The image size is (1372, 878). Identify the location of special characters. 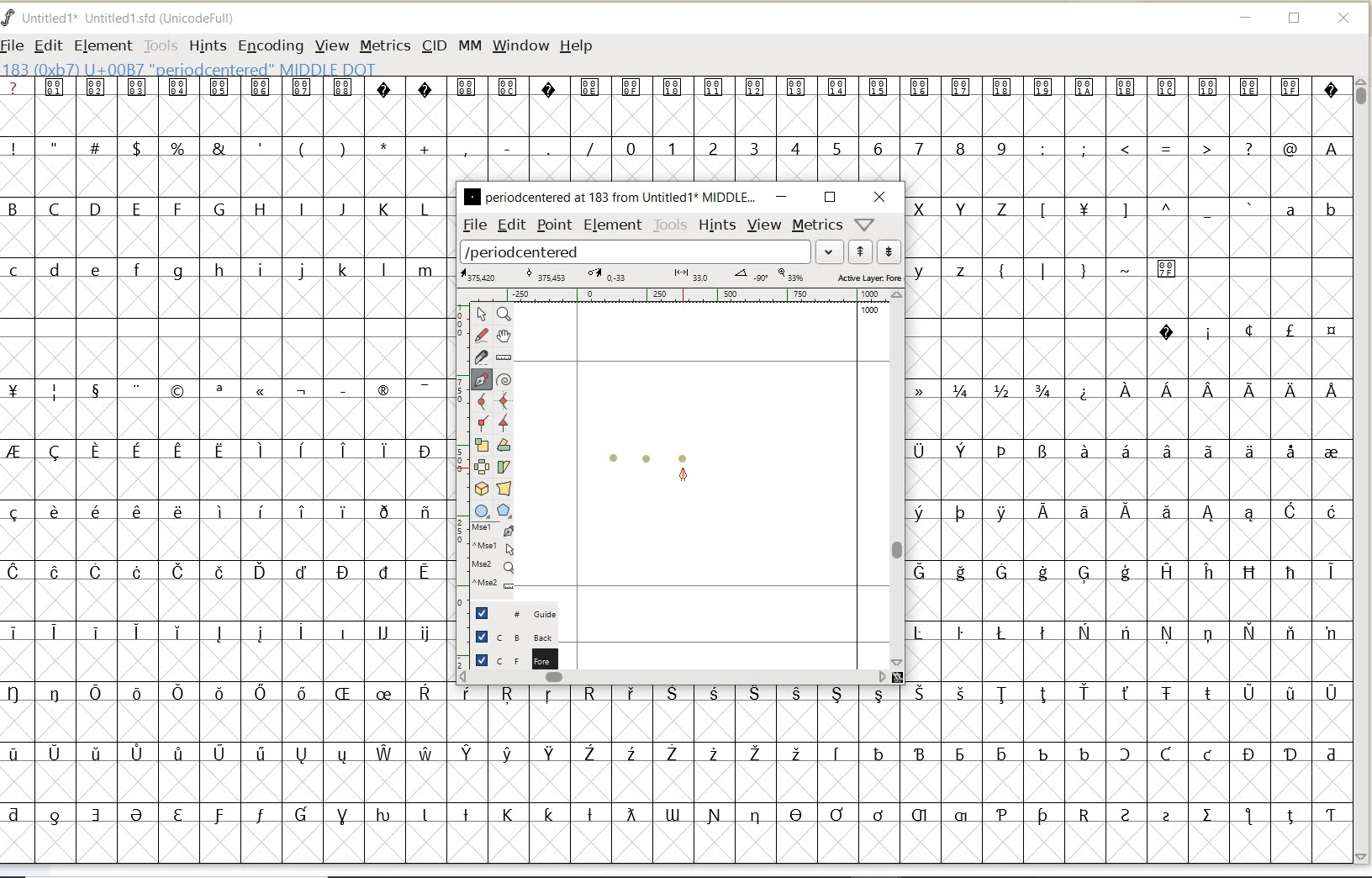
(1131, 526).